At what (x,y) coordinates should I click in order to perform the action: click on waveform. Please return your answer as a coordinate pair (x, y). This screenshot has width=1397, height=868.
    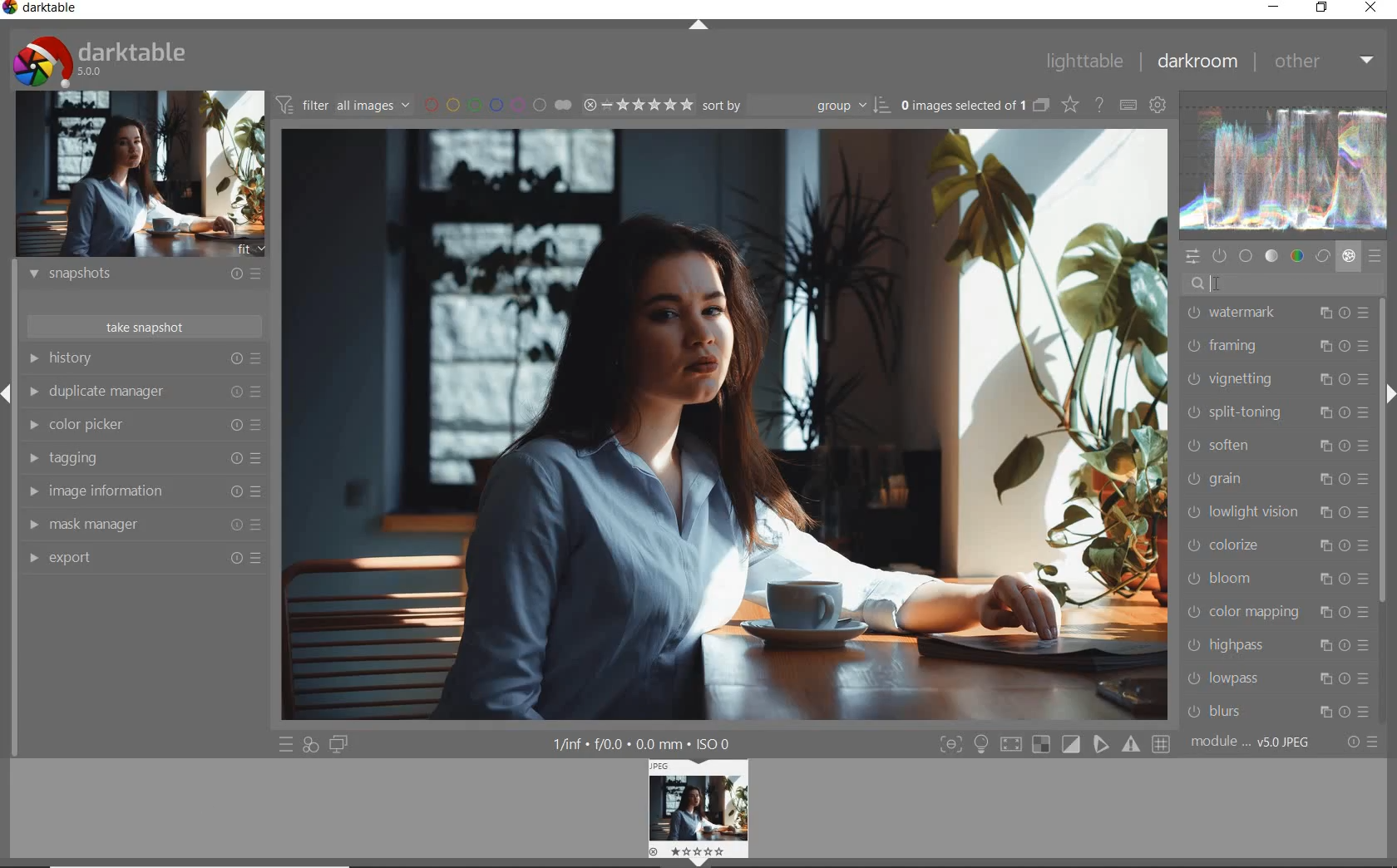
    Looking at the image, I should click on (1286, 169).